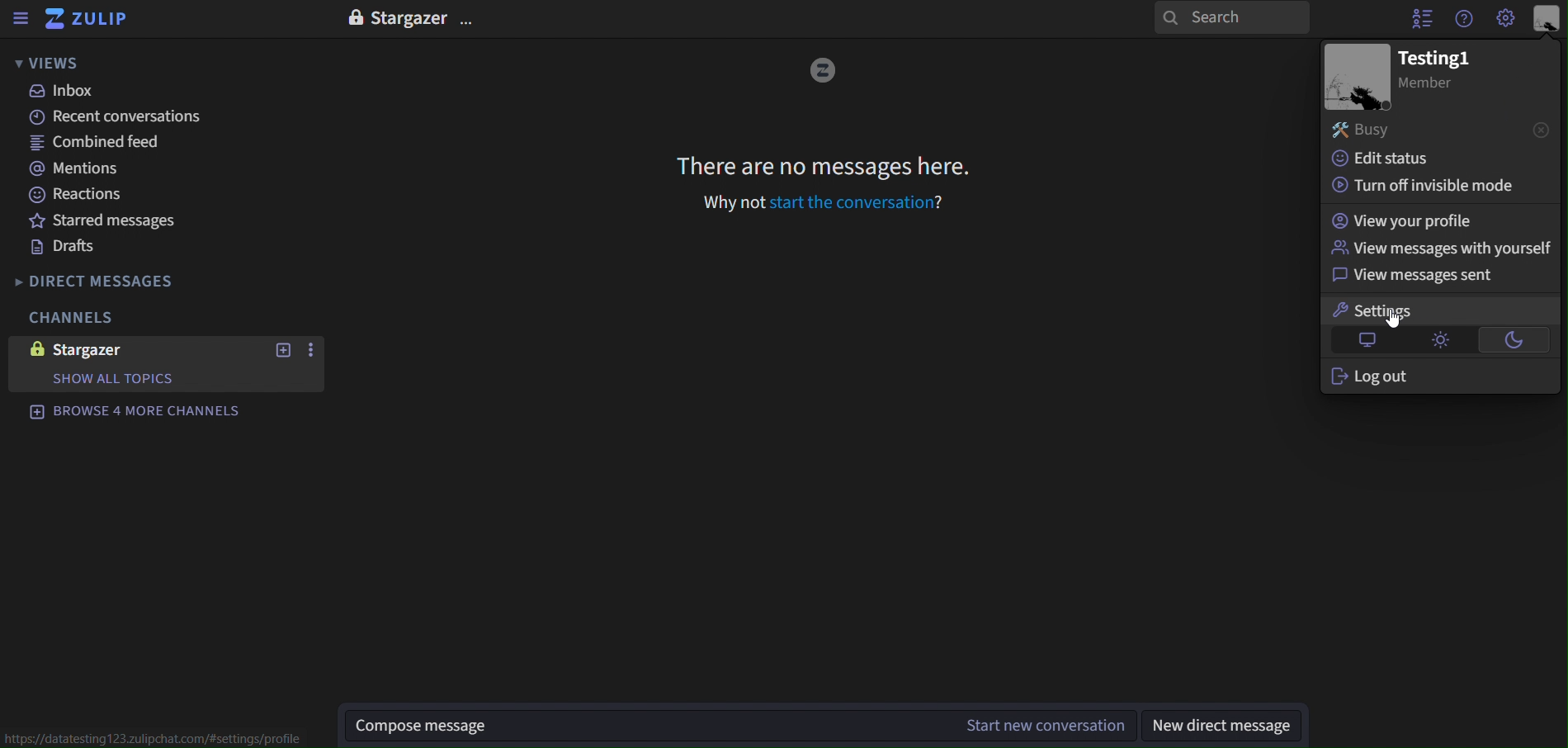 The image size is (1568, 748). What do you see at coordinates (1046, 727) in the screenshot?
I see `start new conversation` at bounding box center [1046, 727].